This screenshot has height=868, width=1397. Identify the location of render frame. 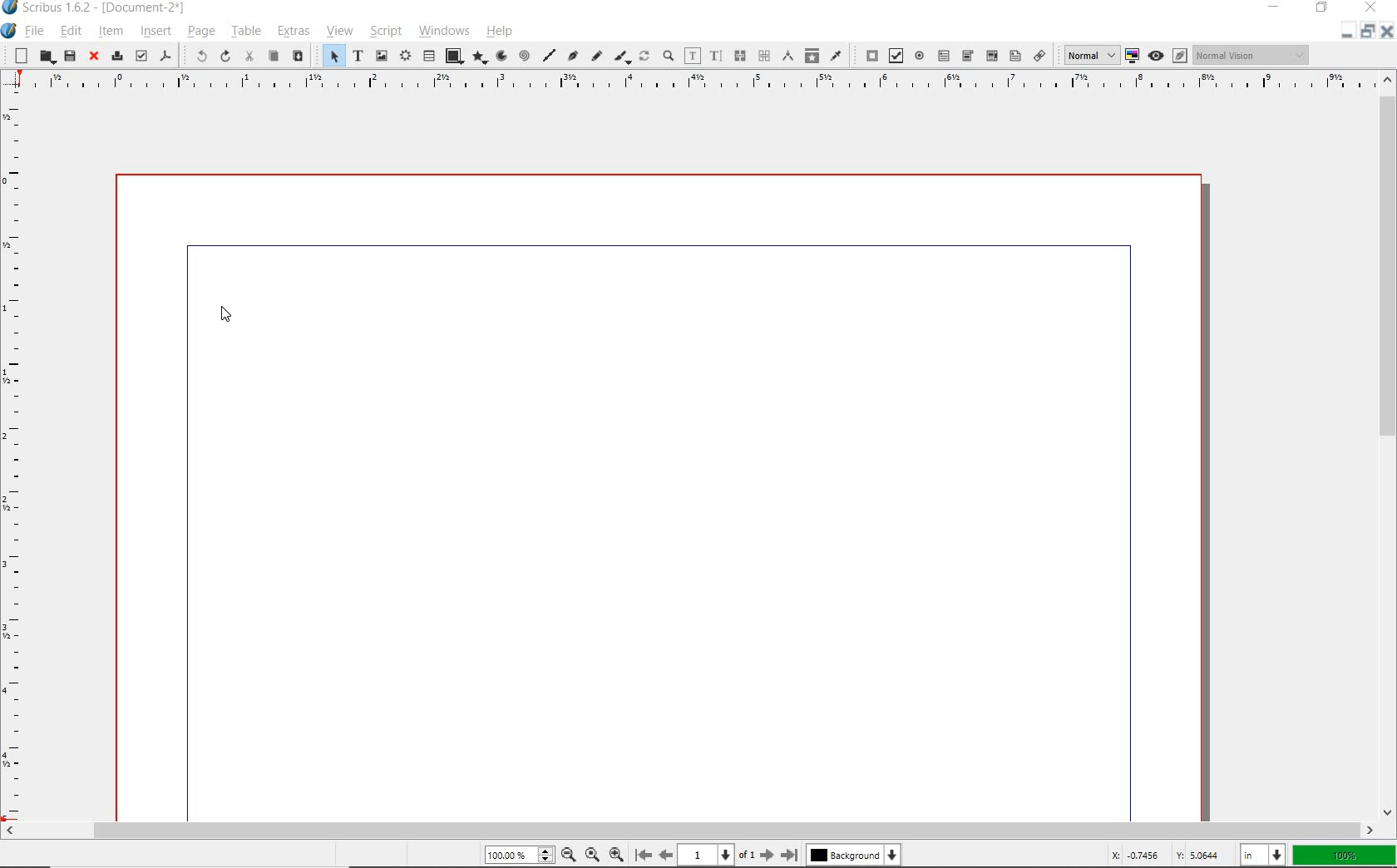
(404, 57).